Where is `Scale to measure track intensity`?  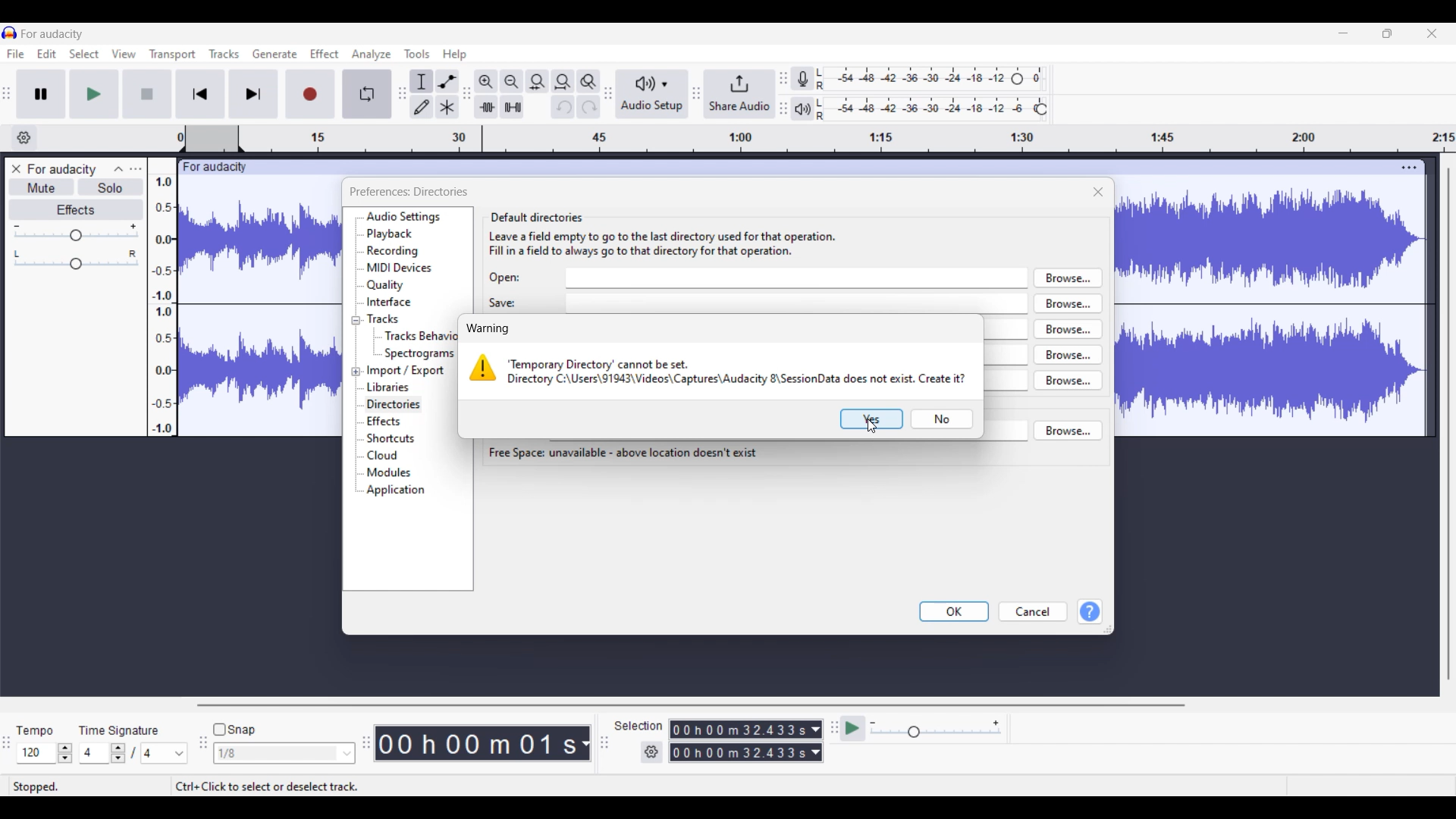
Scale to measure track intensity is located at coordinates (162, 305).